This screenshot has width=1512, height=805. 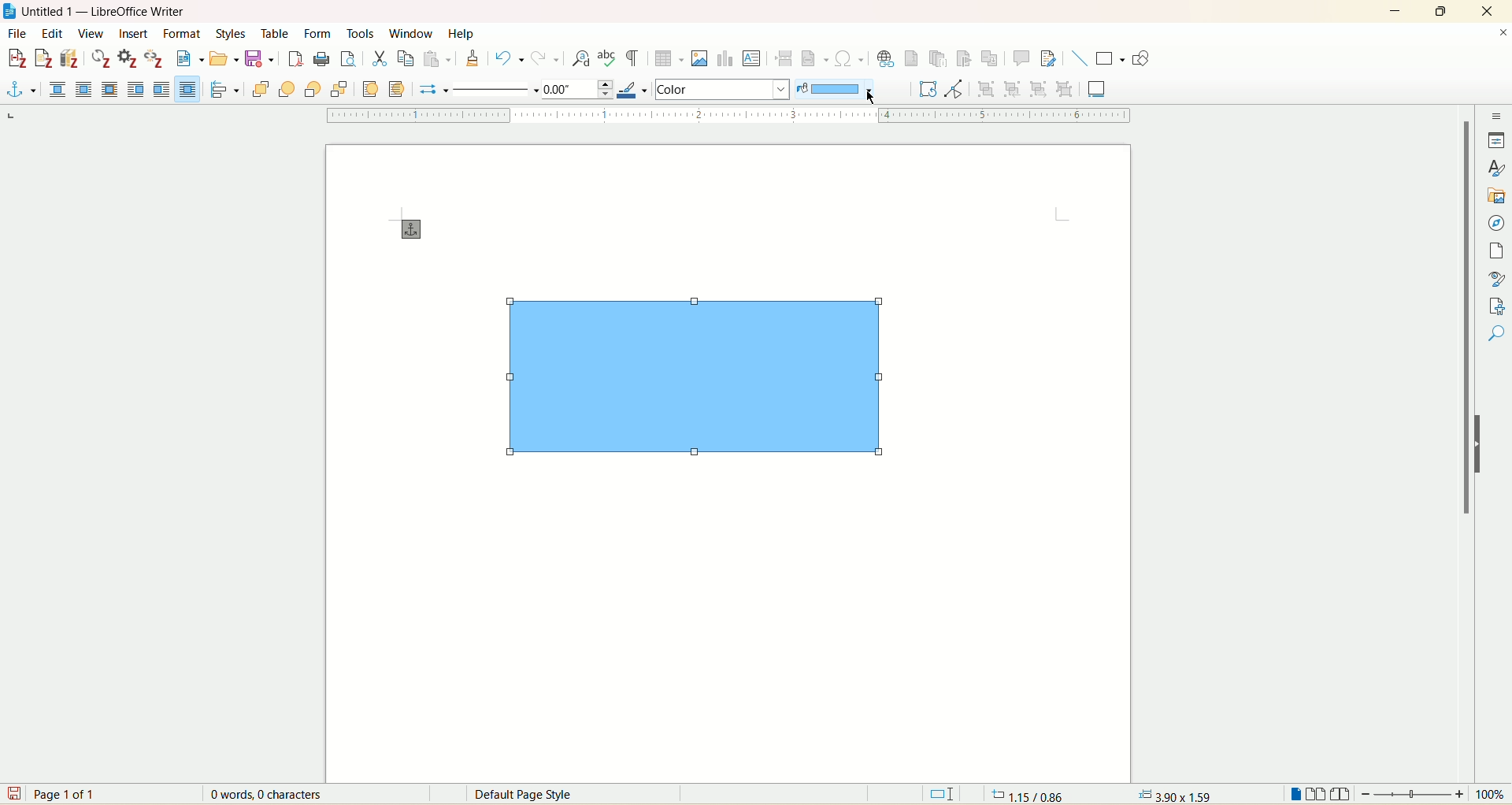 I want to click on refresh, so click(x=101, y=58).